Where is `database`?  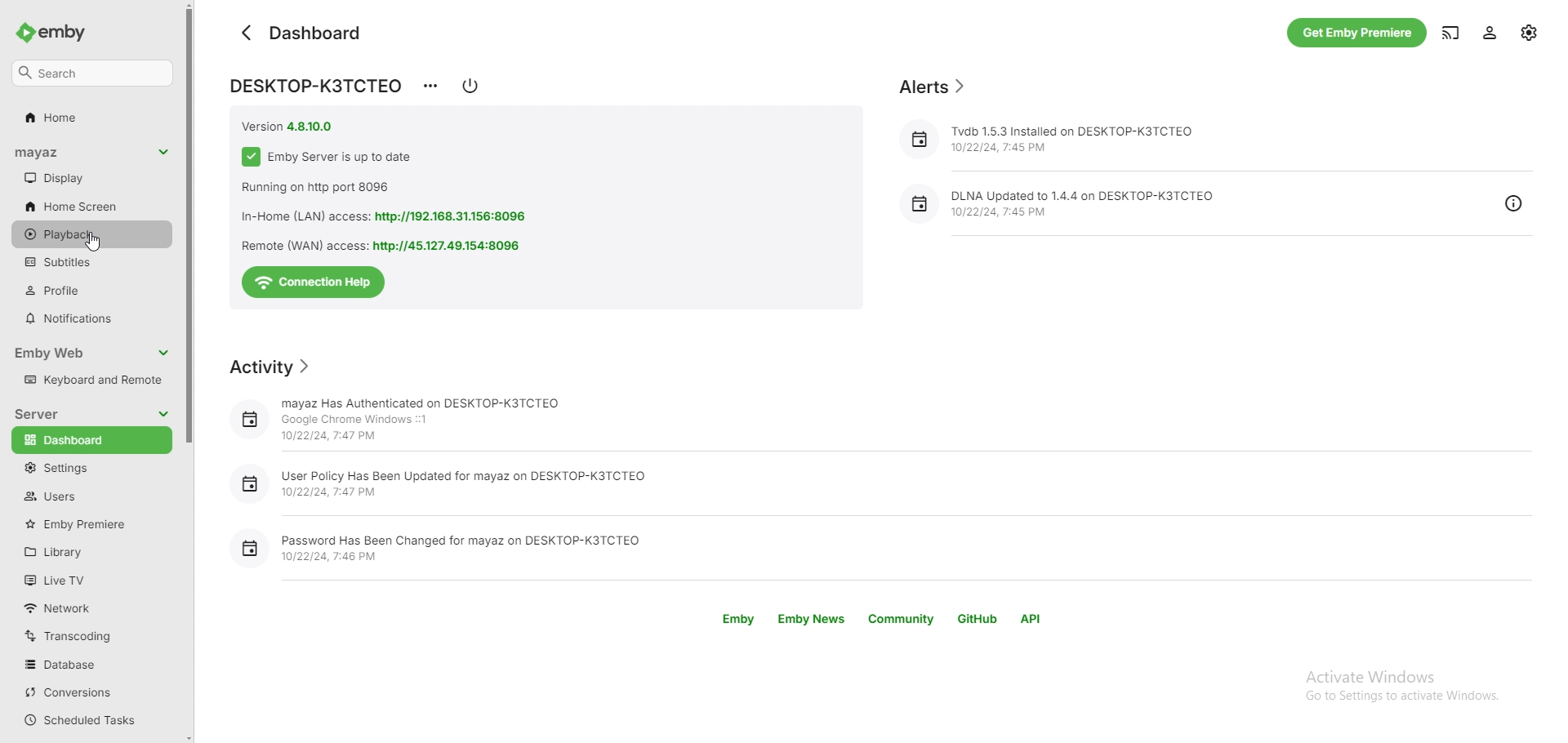
database is located at coordinates (90, 664).